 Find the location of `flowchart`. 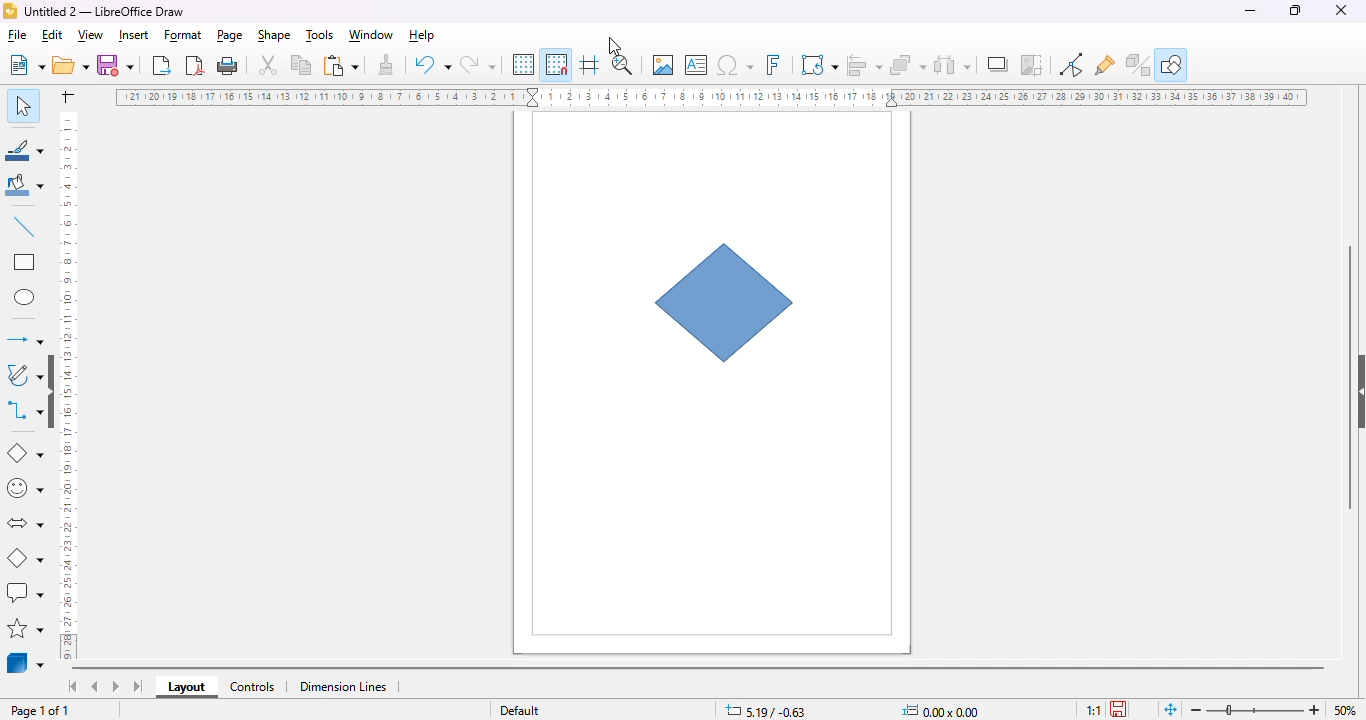

flowchart is located at coordinates (25, 557).